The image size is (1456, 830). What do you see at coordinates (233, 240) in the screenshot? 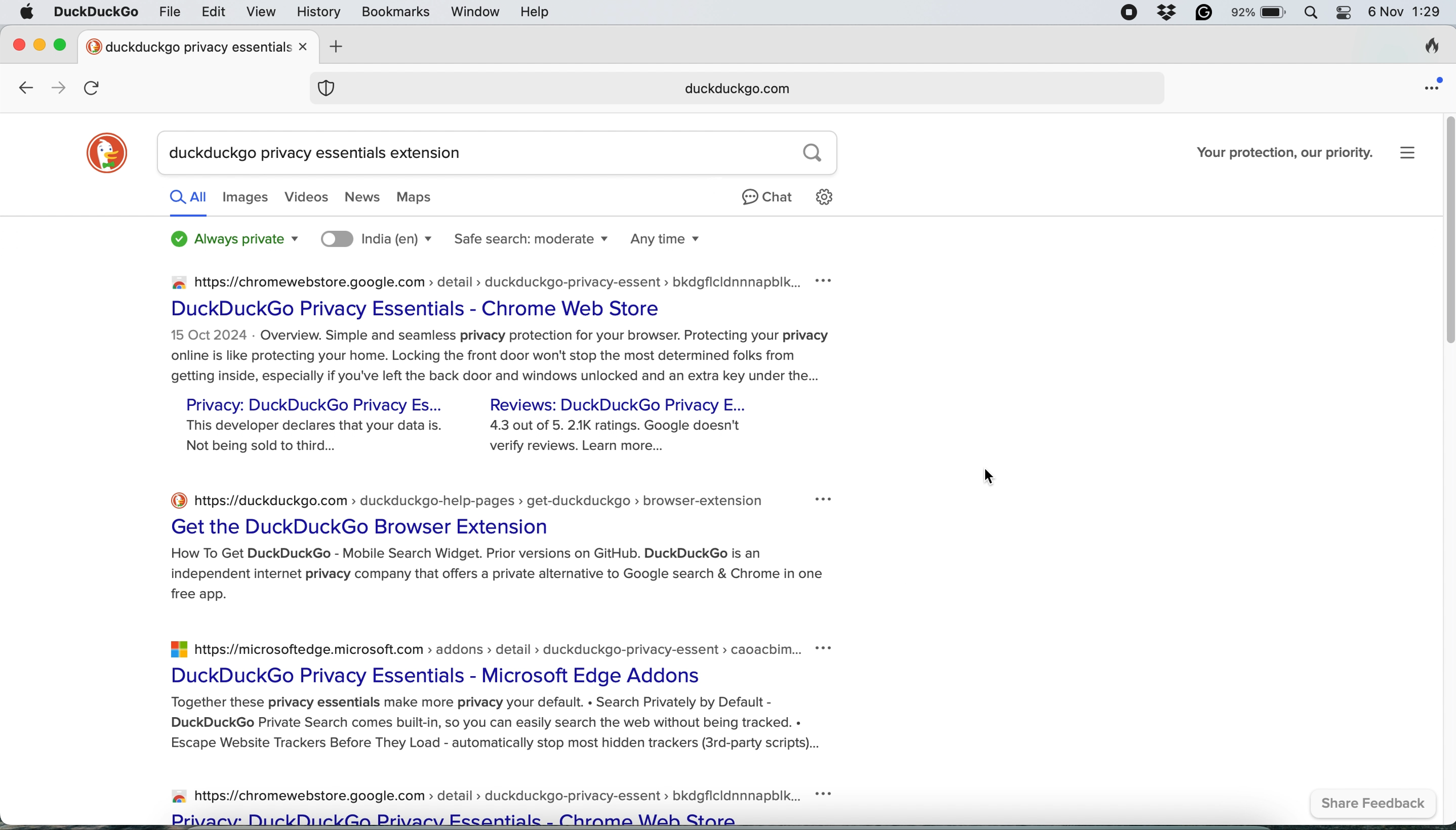
I see `always private` at bounding box center [233, 240].